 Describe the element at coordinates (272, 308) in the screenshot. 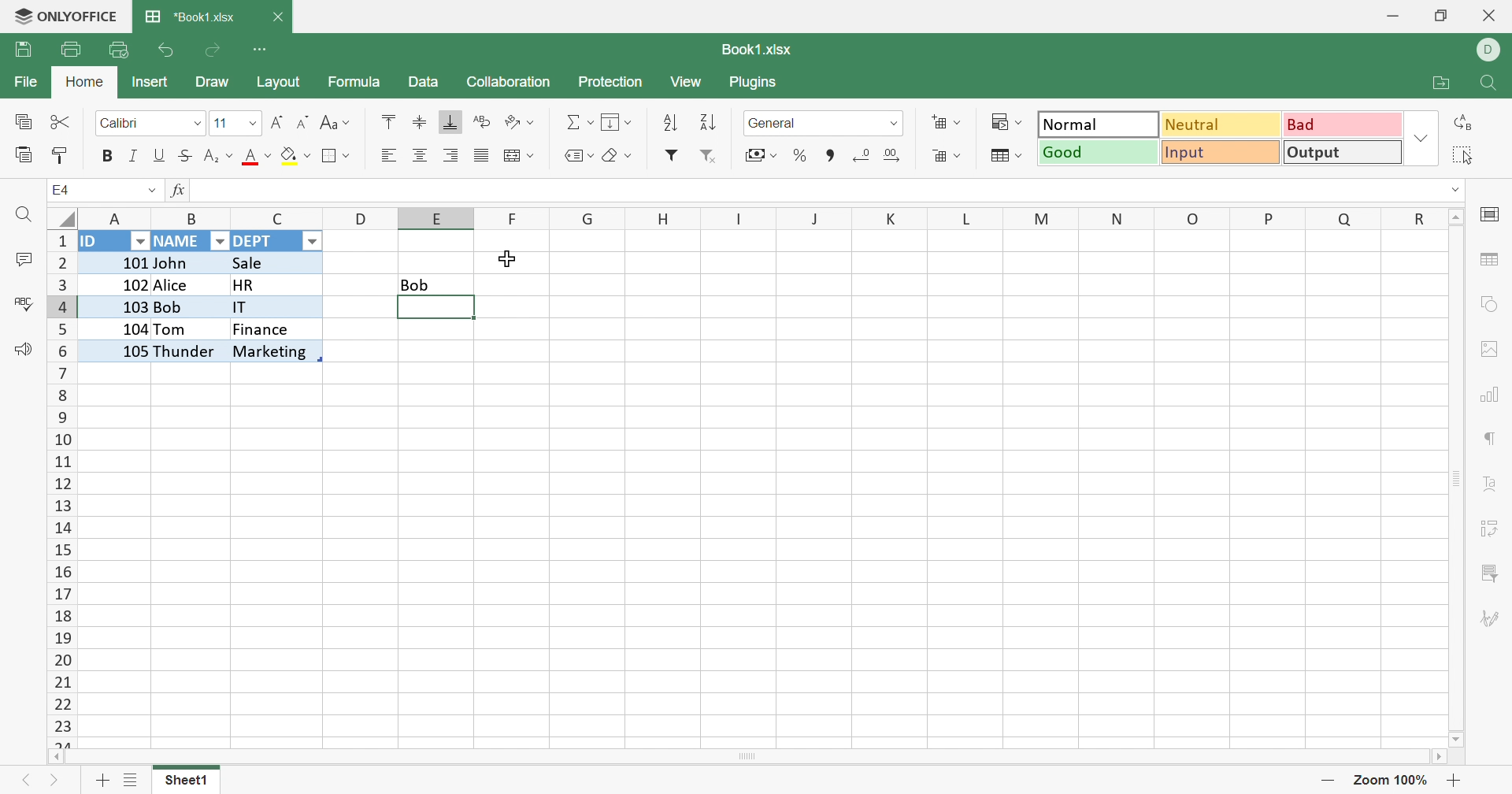

I see `IT` at that location.